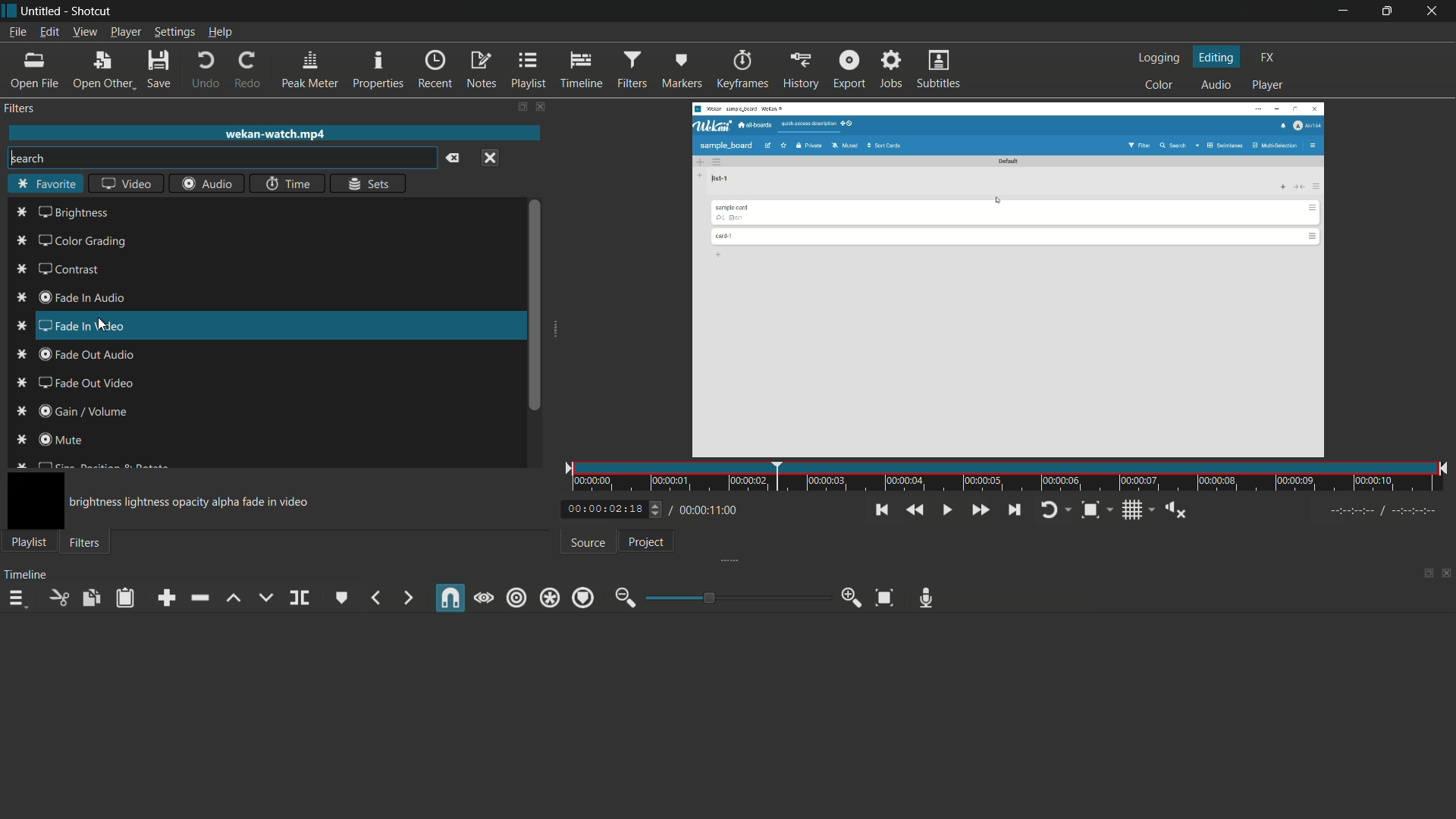 Image resolution: width=1456 pixels, height=819 pixels. Describe the element at coordinates (584, 597) in the screenshot. I see `ripple markers` at that location.